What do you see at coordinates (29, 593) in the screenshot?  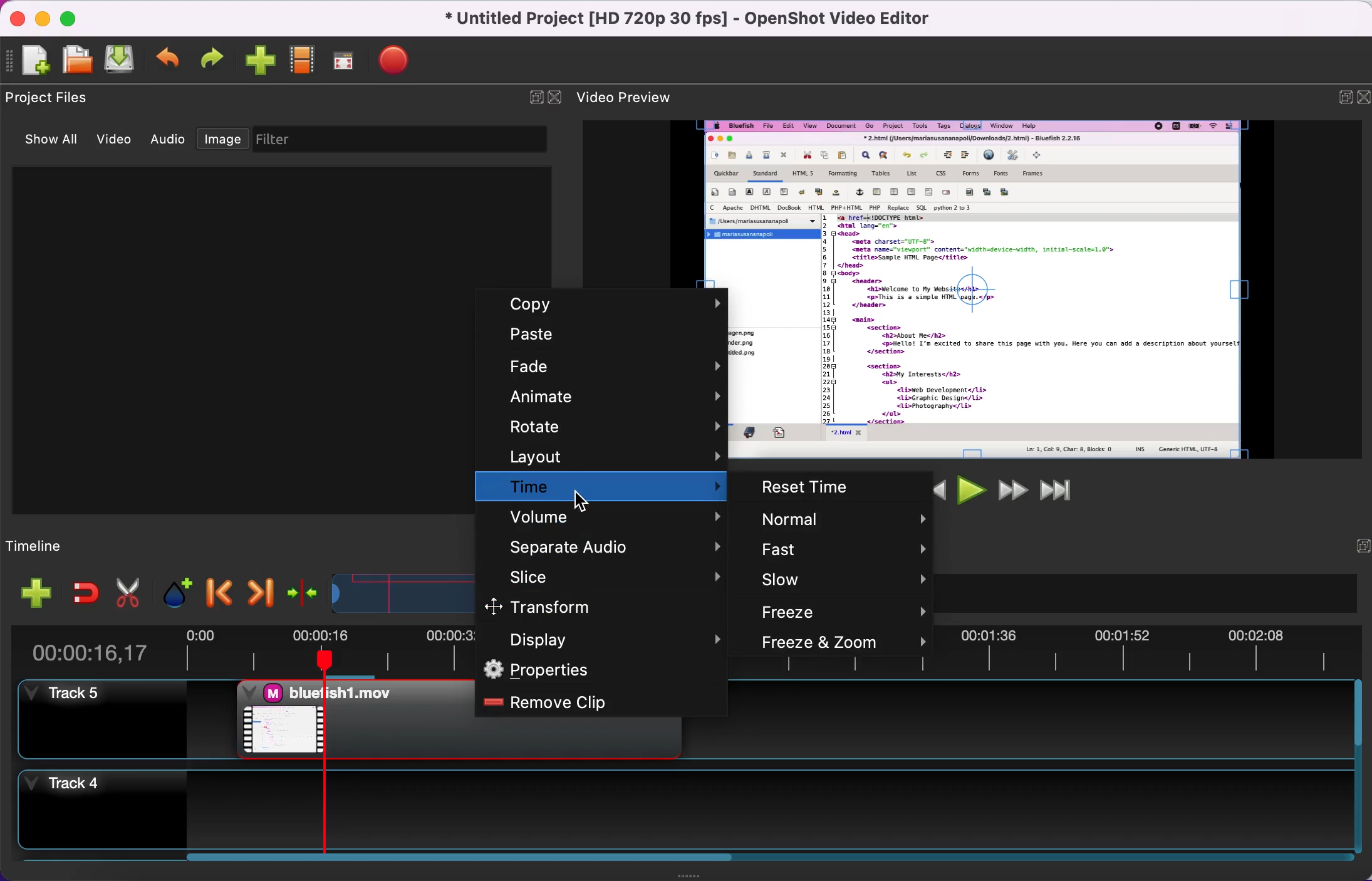 I see `add file` at bounding box center [29, 593].